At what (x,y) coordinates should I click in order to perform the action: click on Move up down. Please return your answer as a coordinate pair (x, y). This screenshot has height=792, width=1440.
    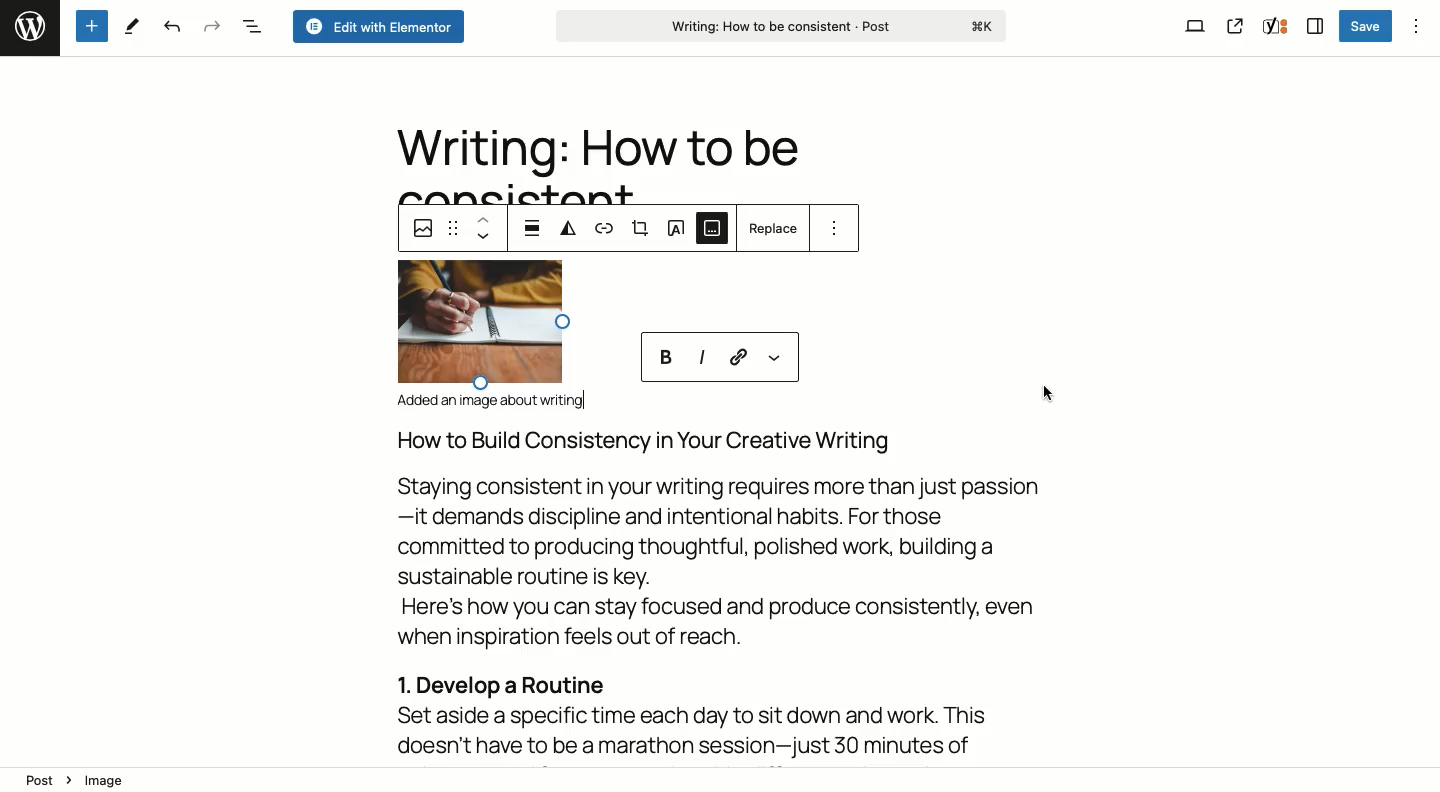
    Looking at the image, I should click on (485, 229).